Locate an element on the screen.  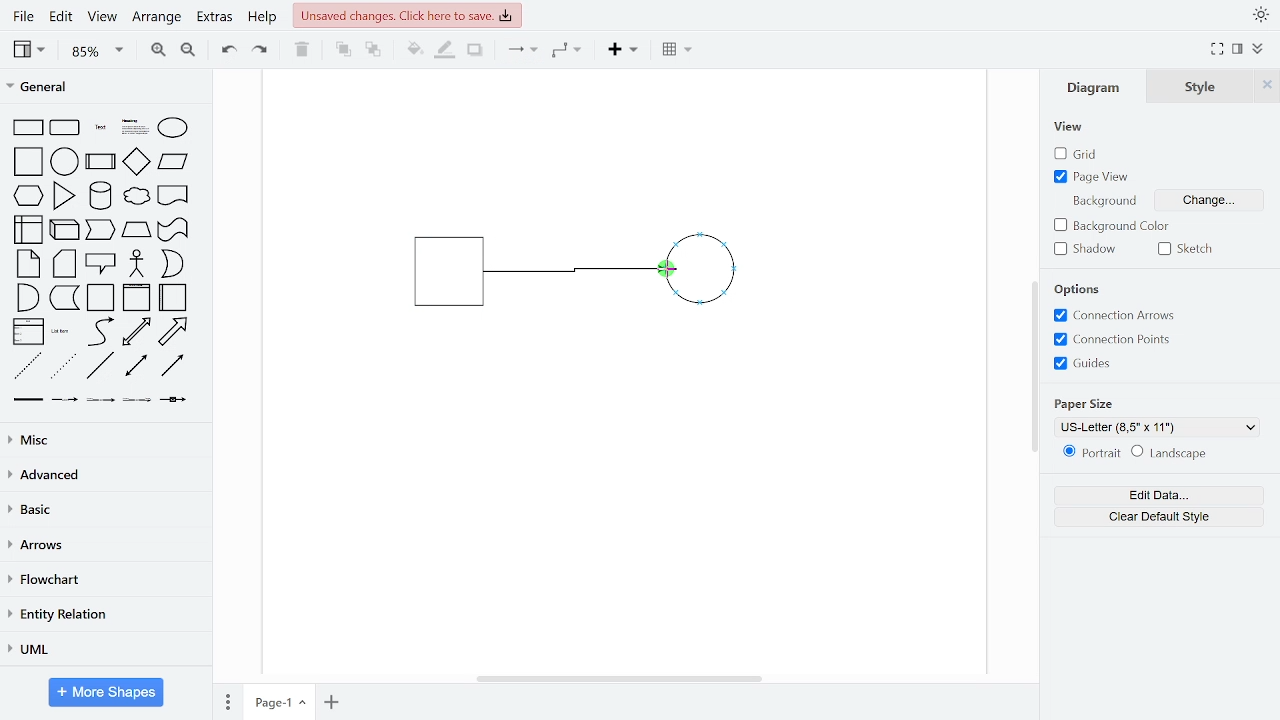
text is located at coordinates (102, 129).